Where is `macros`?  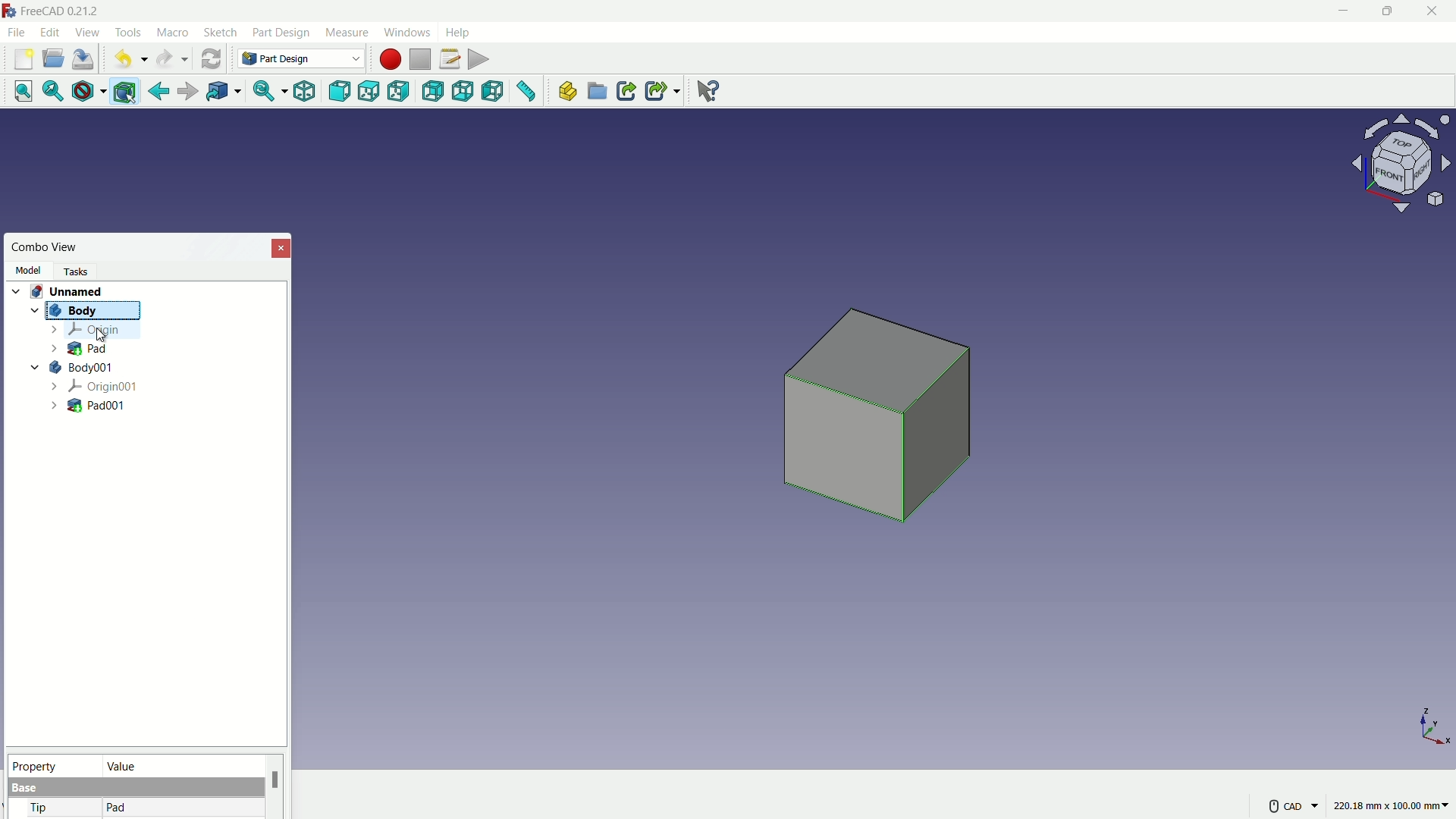
macros is located at coordinates (449, 58).